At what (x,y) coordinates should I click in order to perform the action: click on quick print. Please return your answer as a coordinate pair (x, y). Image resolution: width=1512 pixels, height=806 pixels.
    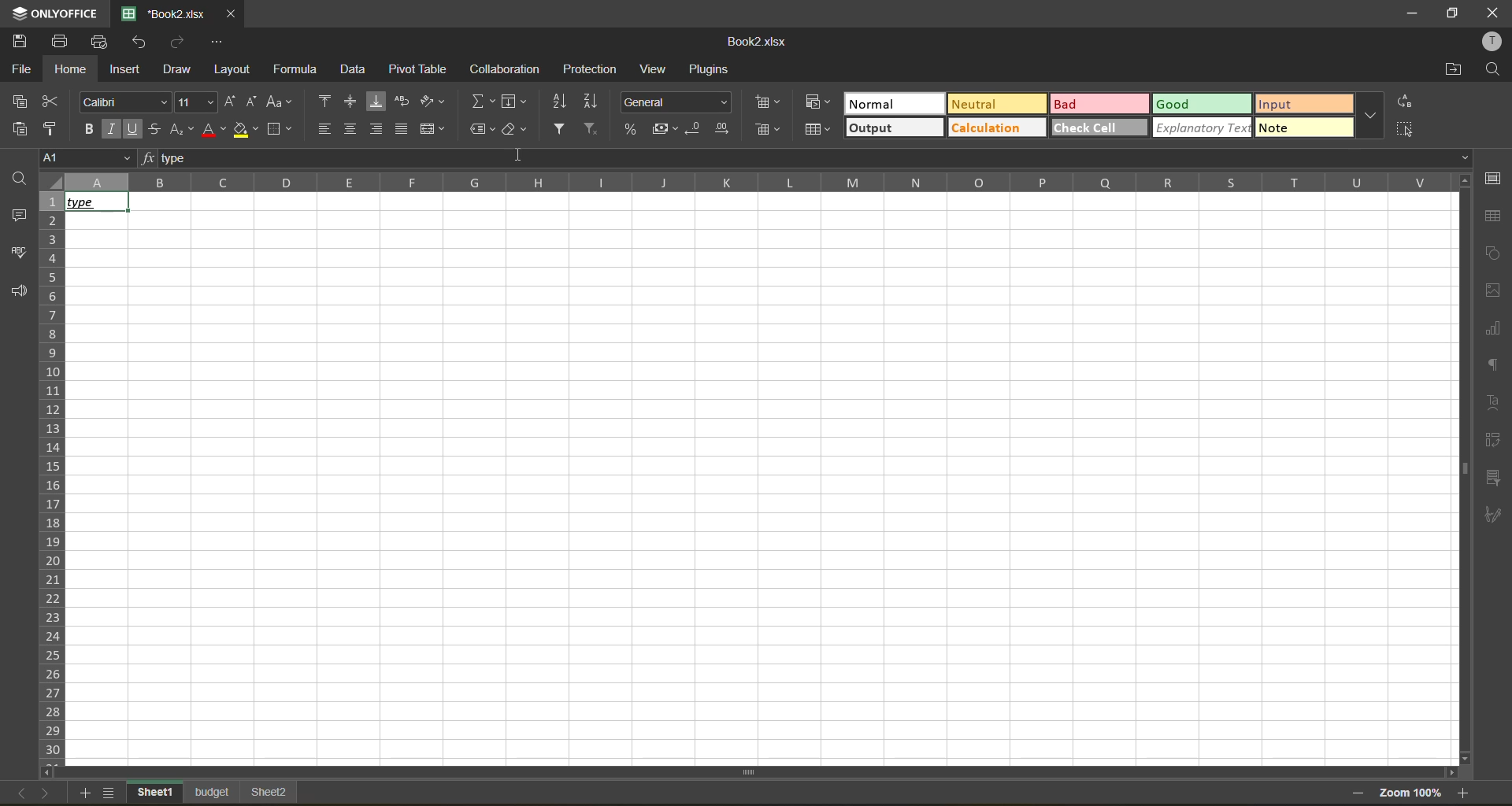
    Looking at the image, I should click on (100, 42).